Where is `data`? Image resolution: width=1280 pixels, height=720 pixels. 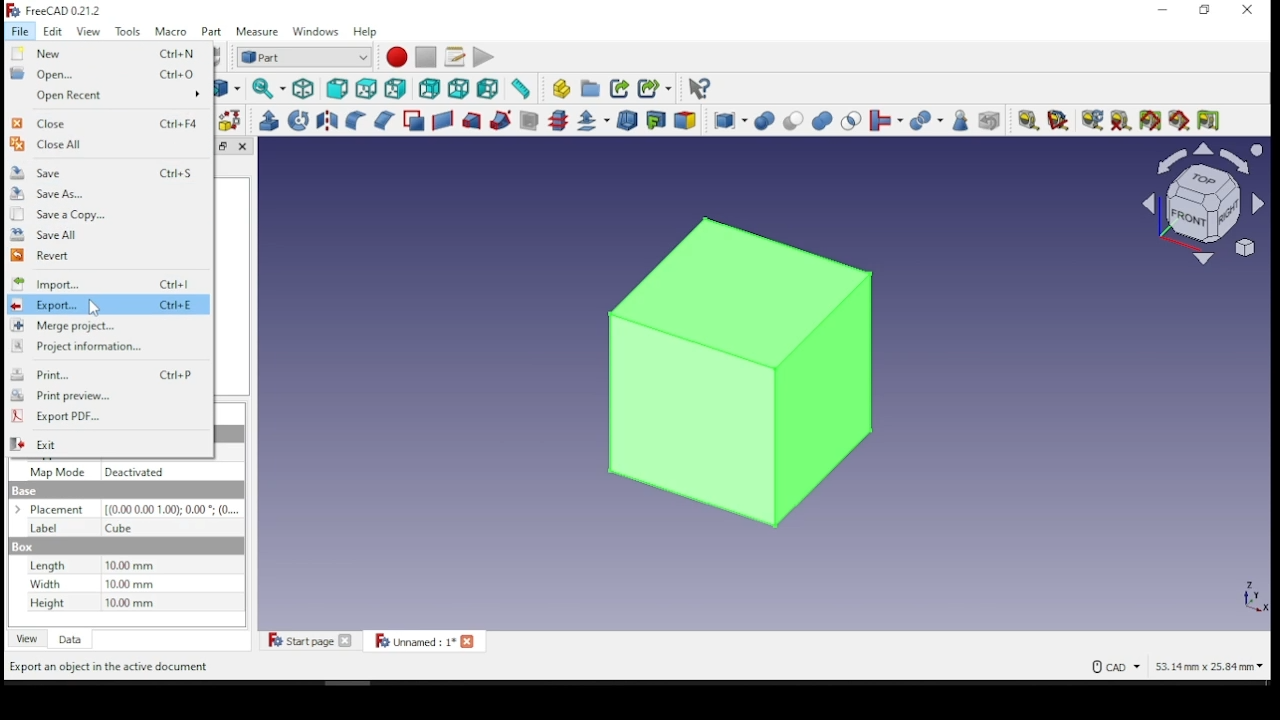
data is located at coordinates (72, 638).